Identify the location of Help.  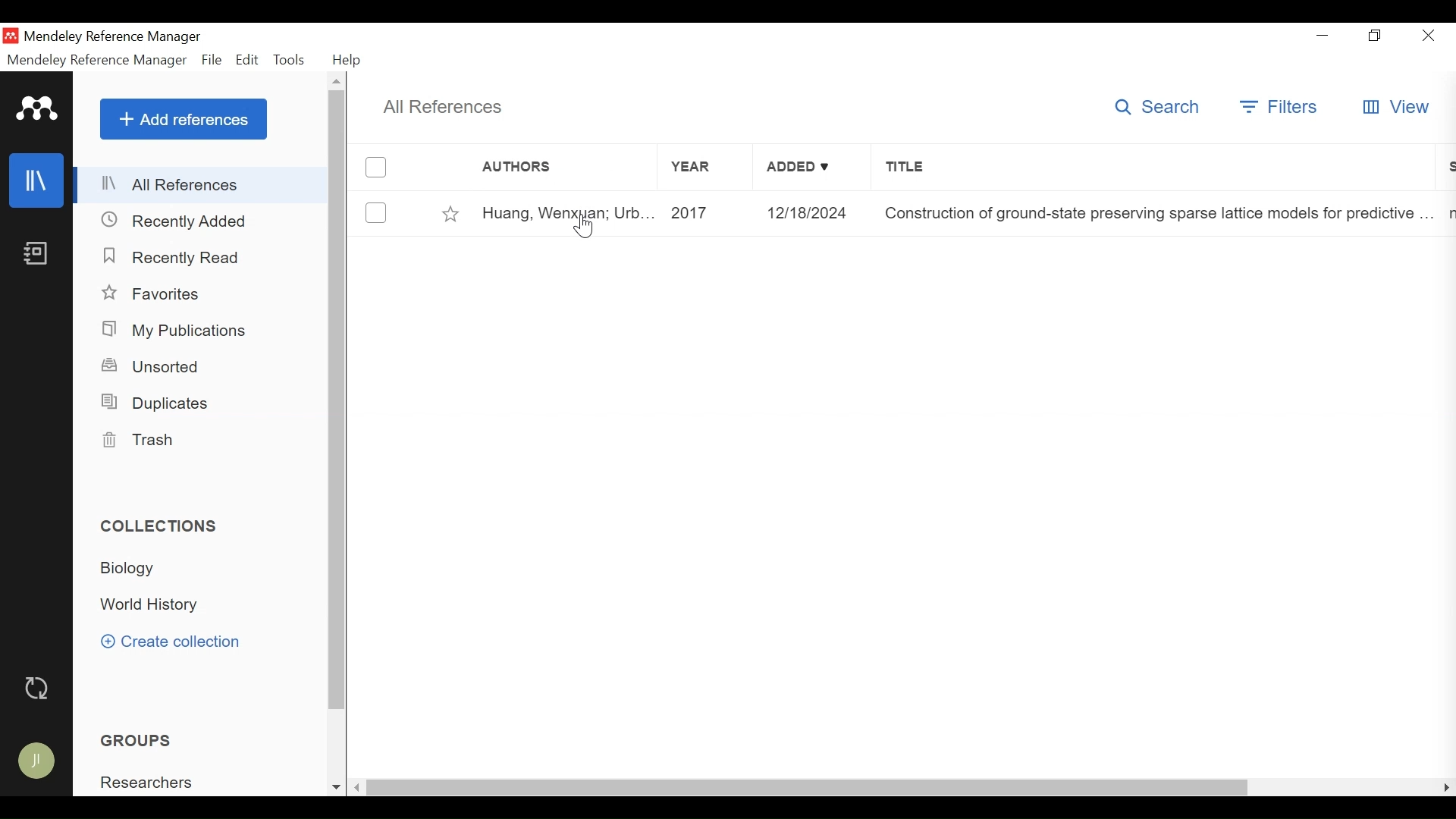
(349, 60).